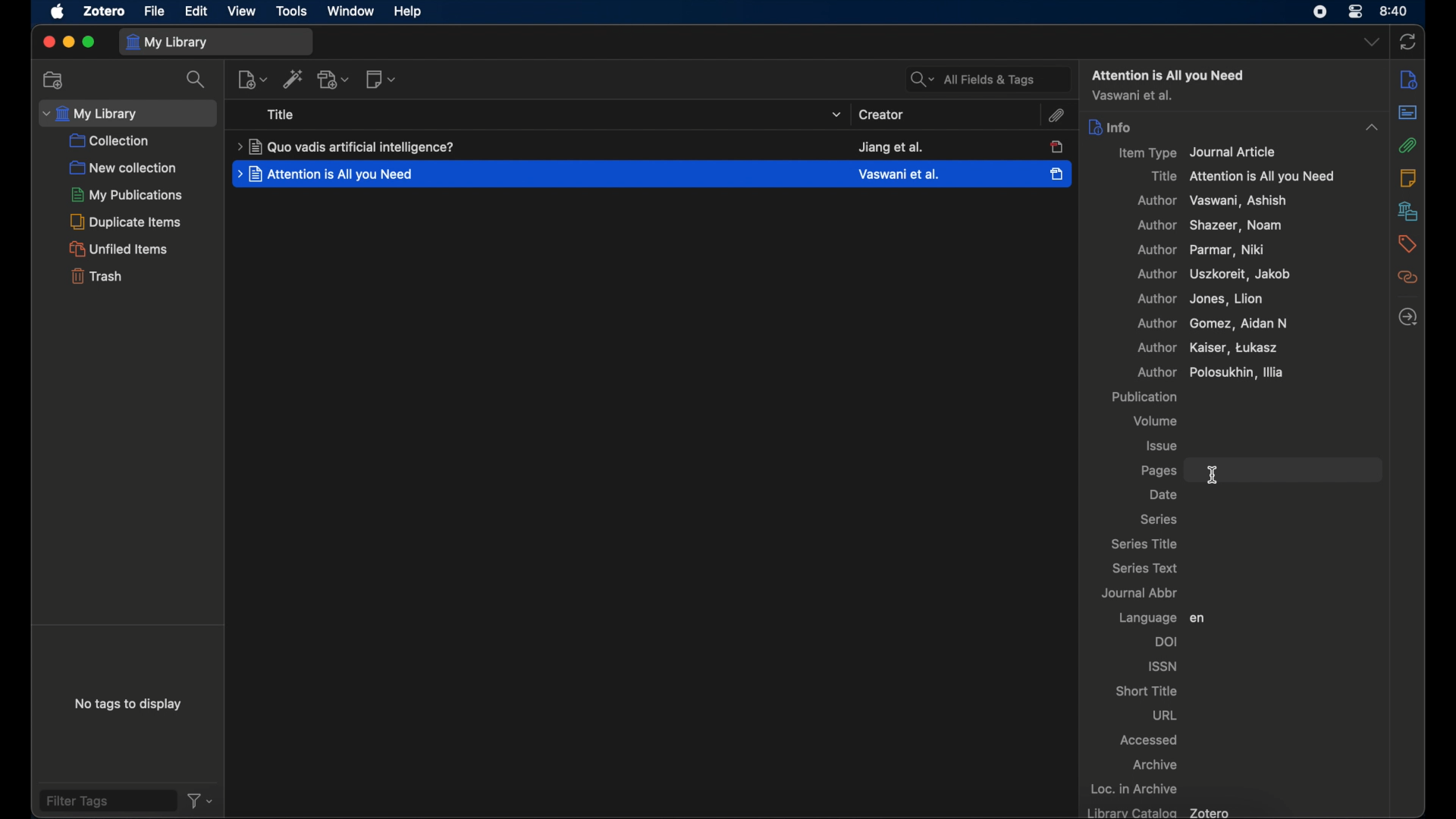  Describe the element at coordinates (891, 146) in the screenshot. I see `creator name` at that location.